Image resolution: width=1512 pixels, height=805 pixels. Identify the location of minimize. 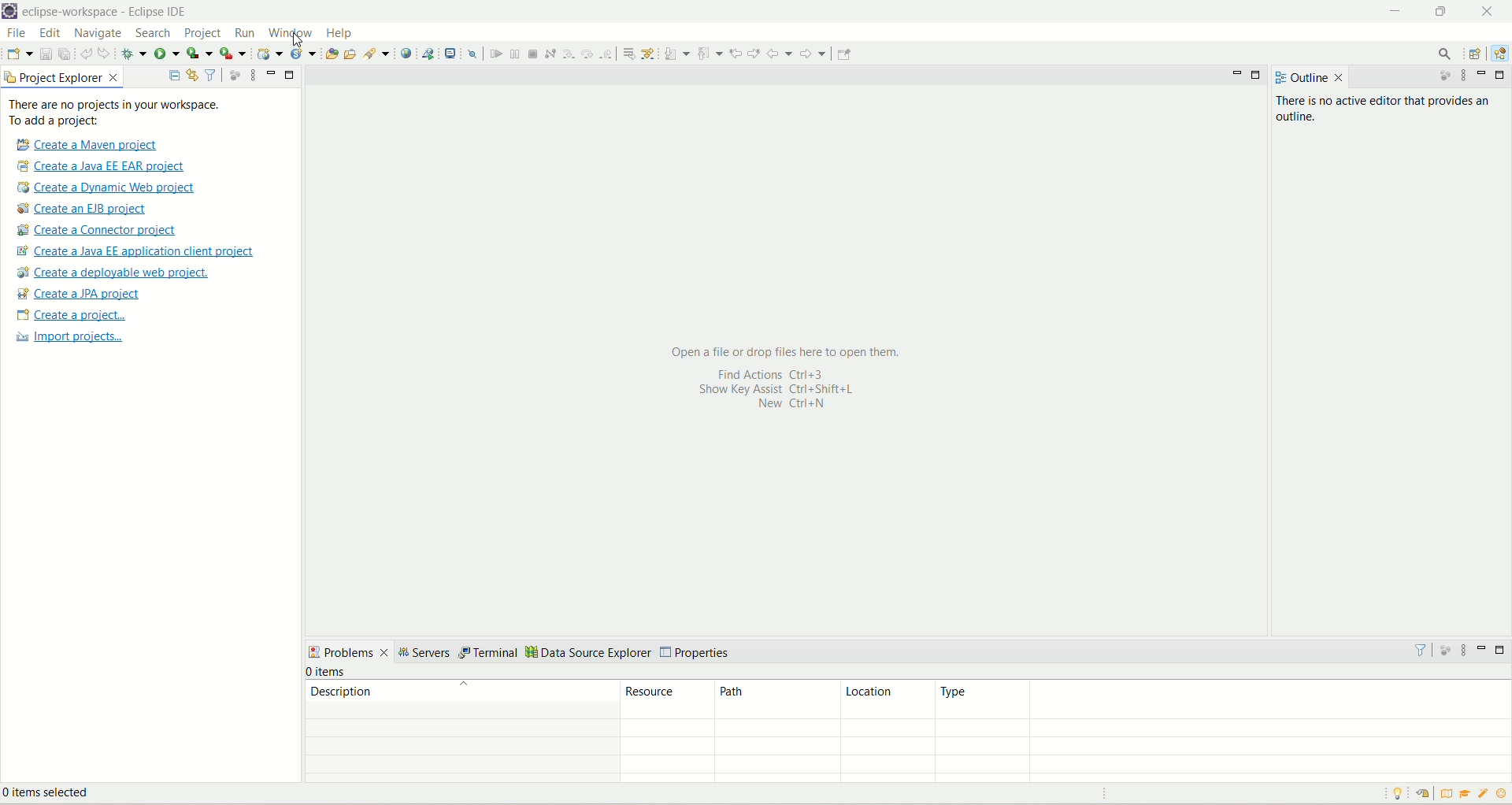
(1484, 74).